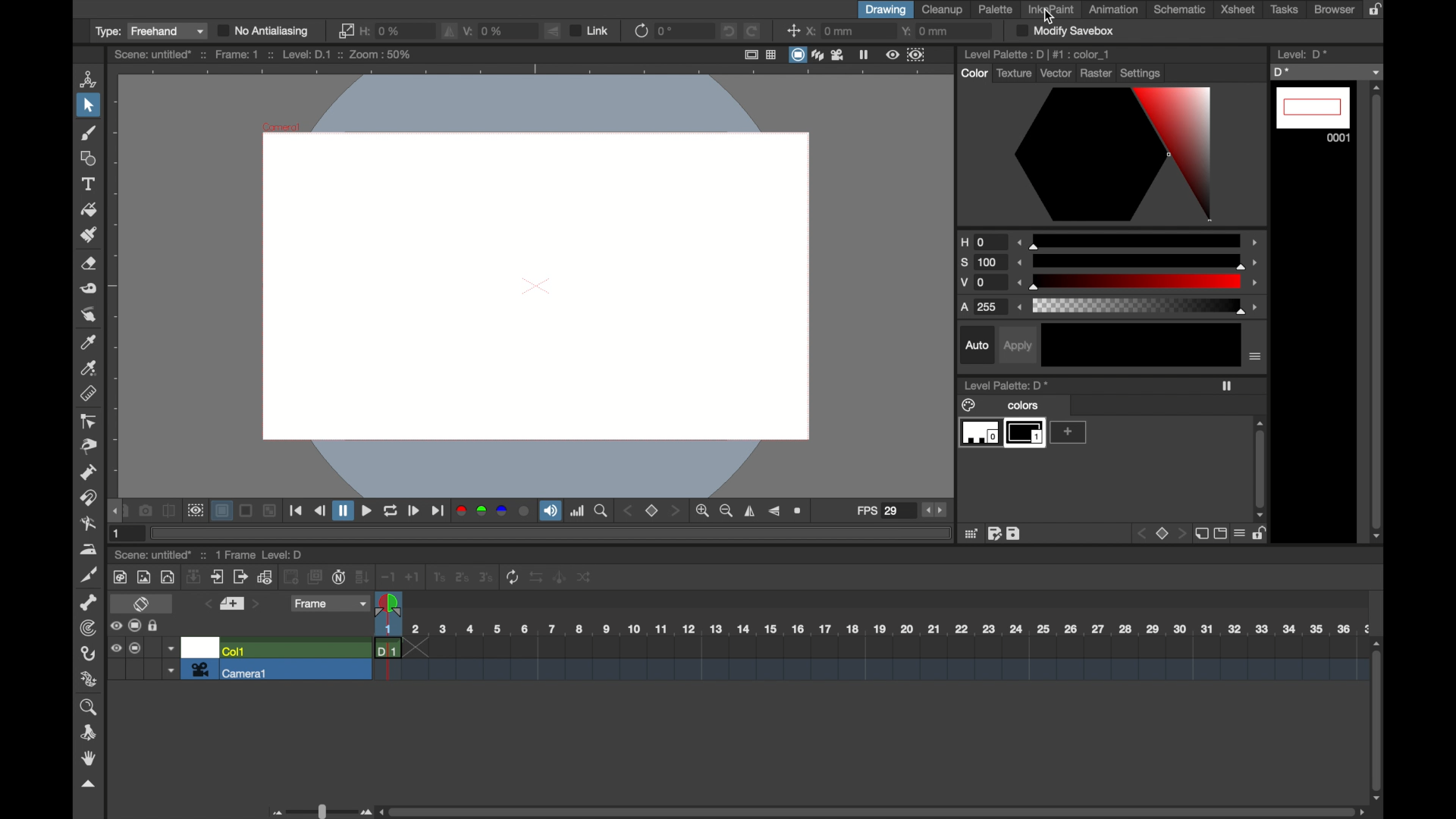 The height and width of the screenshot is (819, 1456). I want to click on pump tool, so click(87, 472).